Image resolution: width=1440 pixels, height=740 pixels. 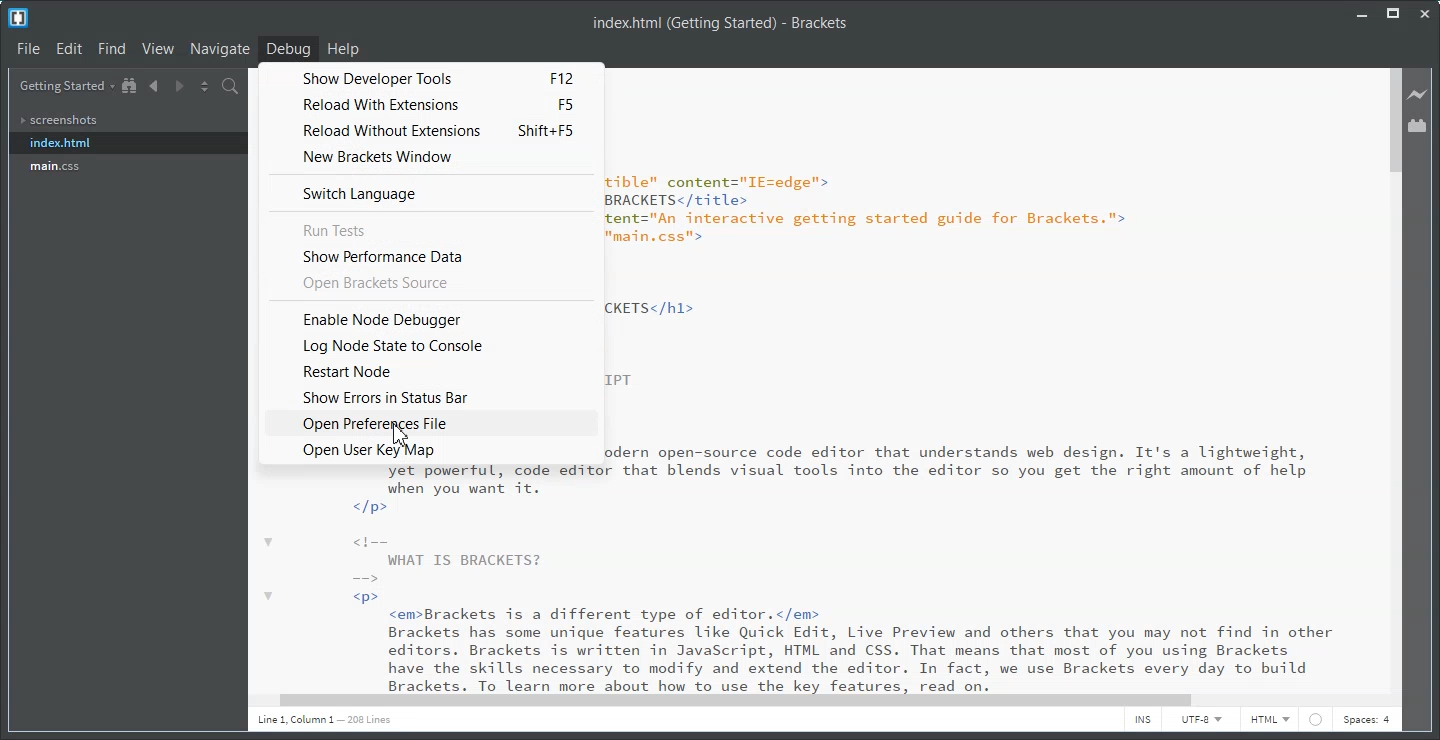 What do you see at coordinates (131, 86) in the screenshot?
I see `Show in file tree` at bounding box center [131, 86].